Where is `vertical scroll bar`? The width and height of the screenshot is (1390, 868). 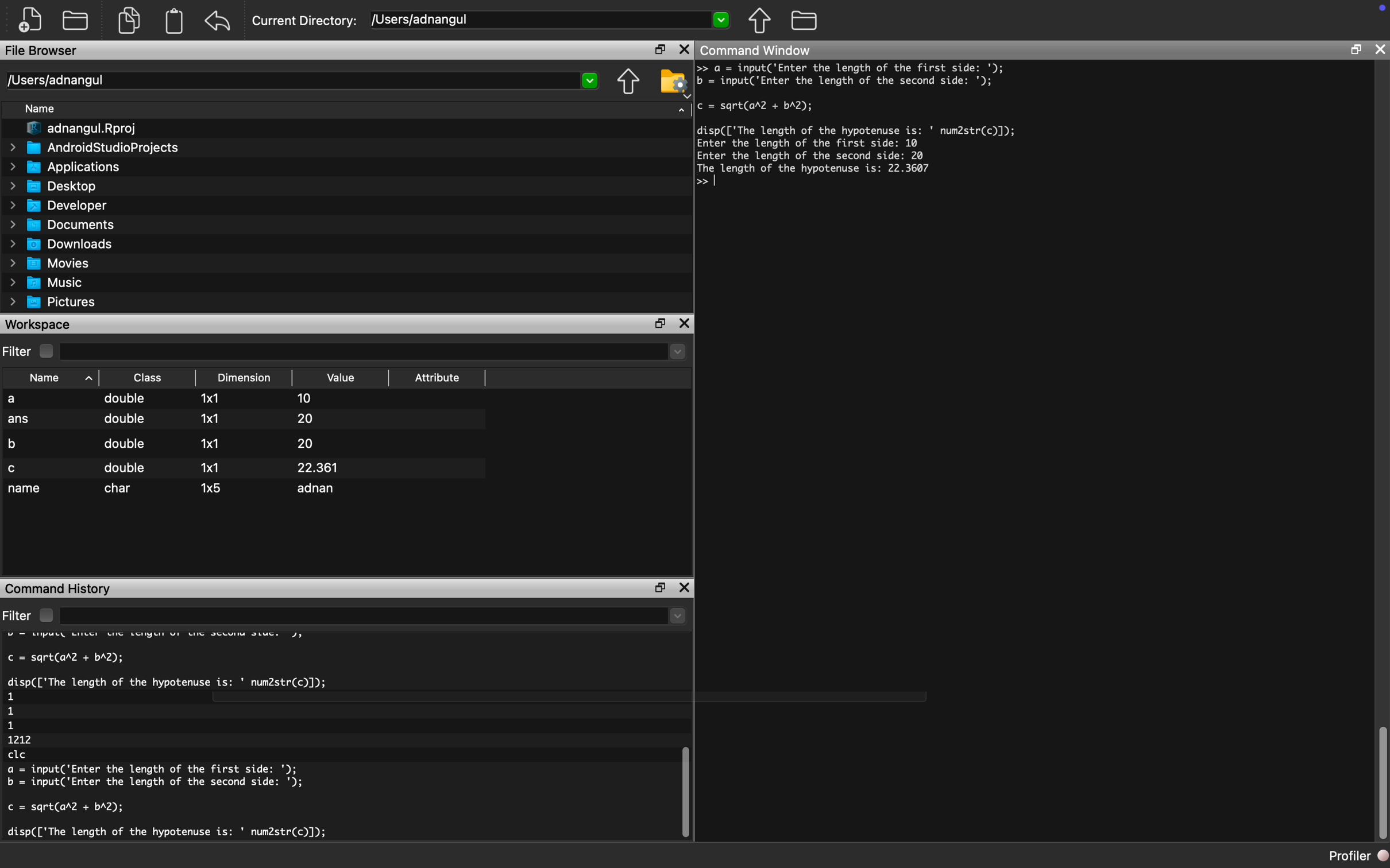 vertical scroll bar is located at coordinates (682, 781).